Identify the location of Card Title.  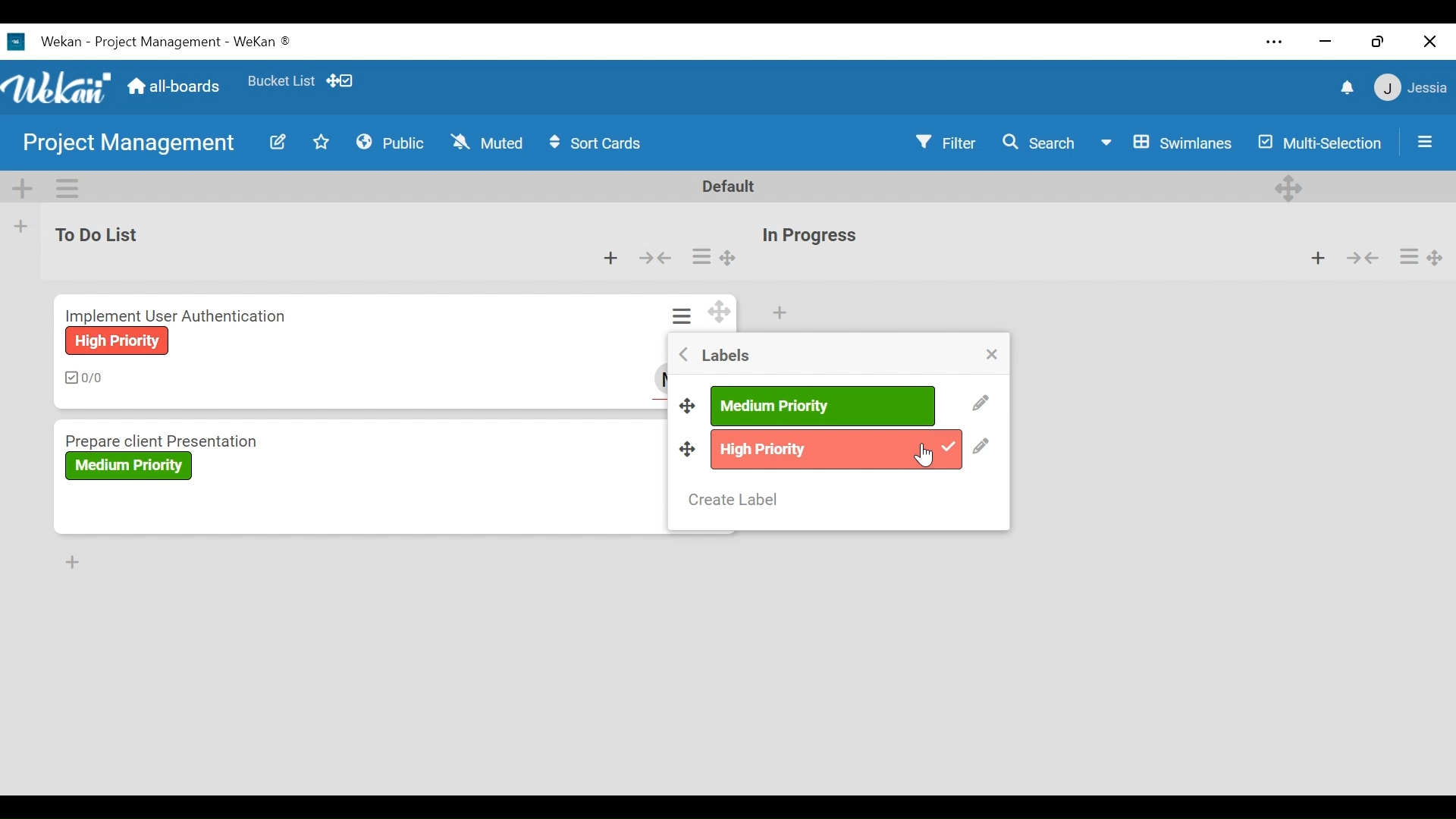
(176, 435).